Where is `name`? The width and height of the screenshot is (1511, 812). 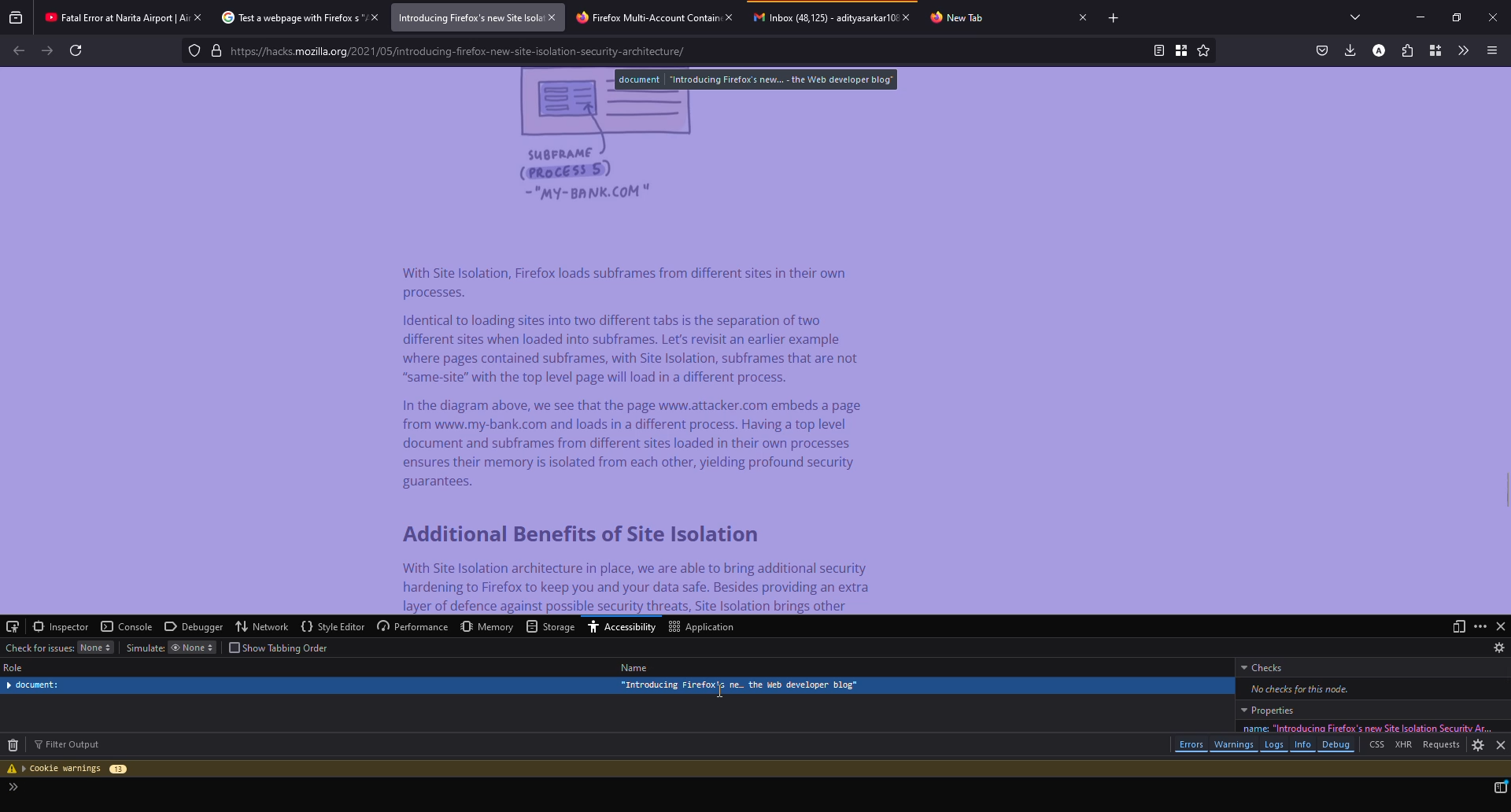
name is located at coordinates (1360, 727).